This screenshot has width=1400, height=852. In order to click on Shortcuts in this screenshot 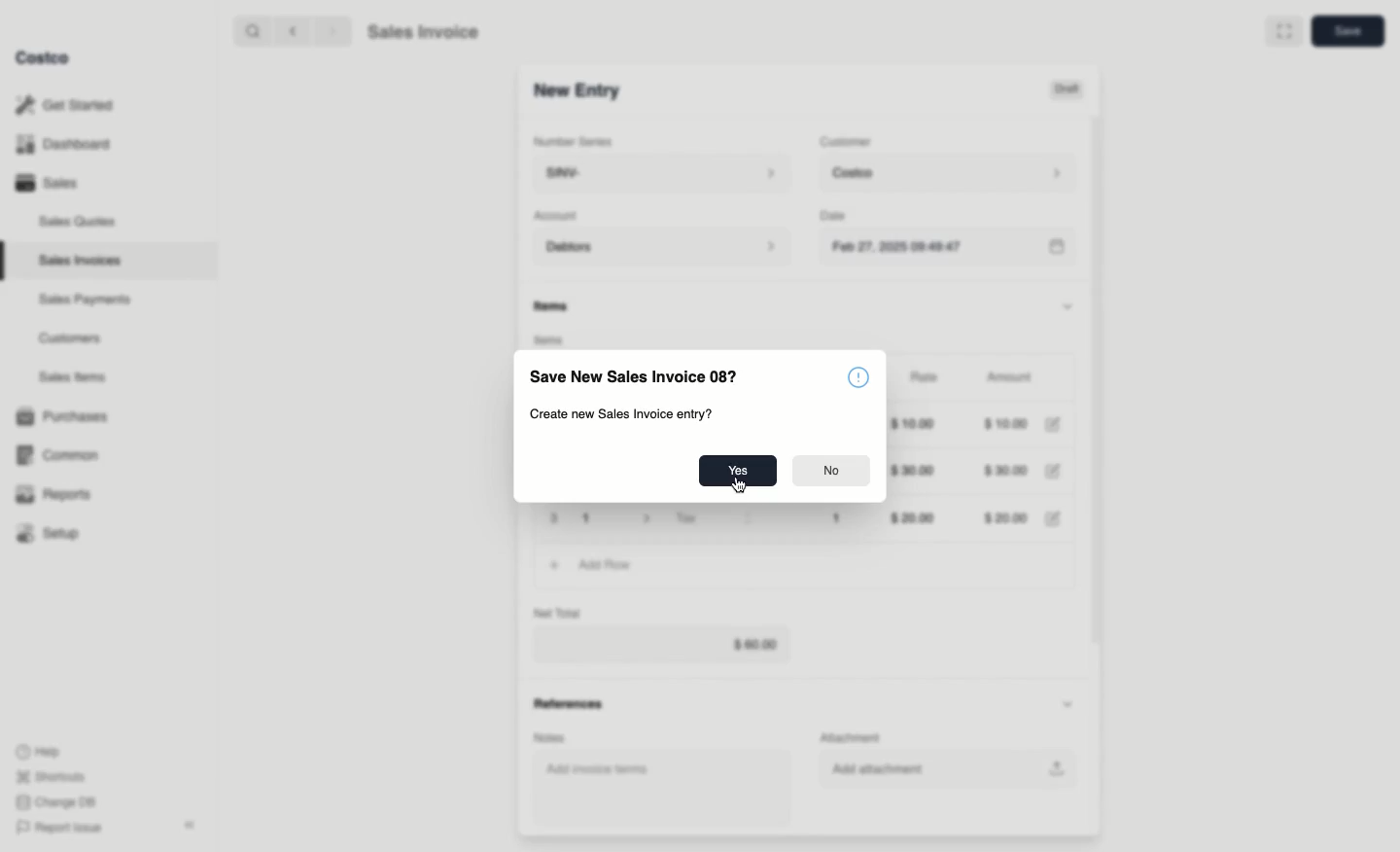, I will do `click(50, 775)`.